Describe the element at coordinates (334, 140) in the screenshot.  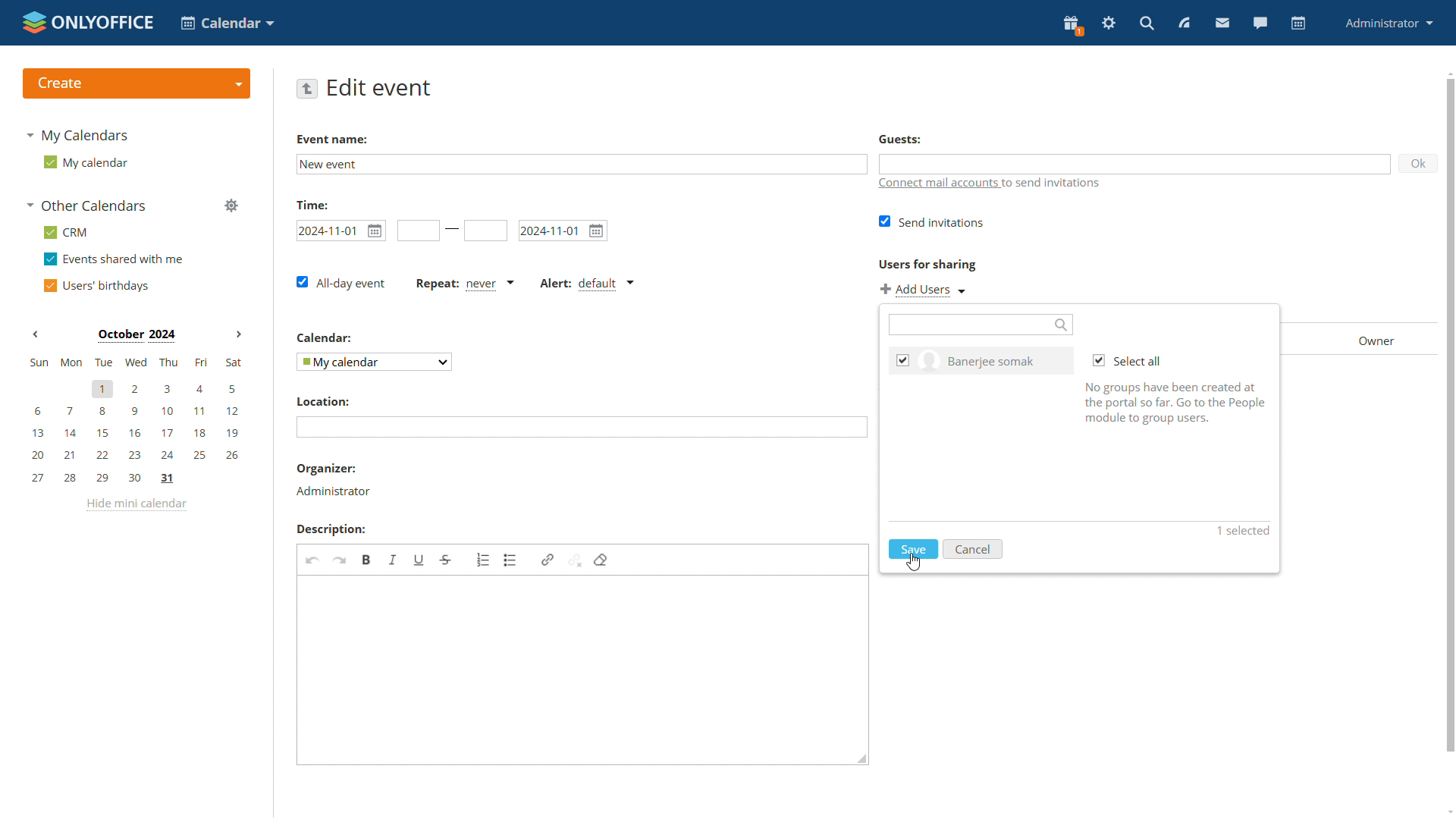
I see `event Name` at that location.